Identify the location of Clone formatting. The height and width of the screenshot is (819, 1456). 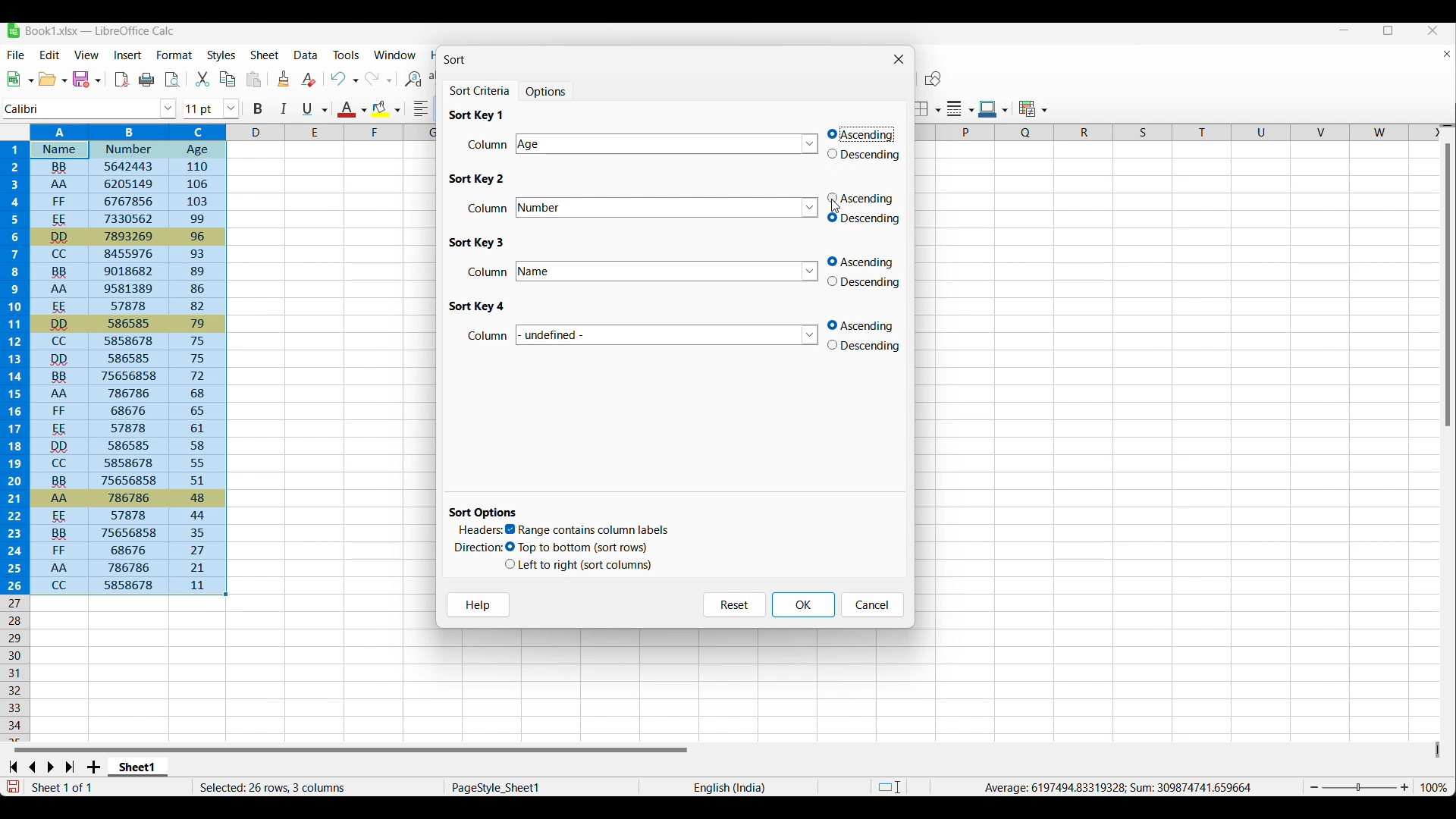
(284, 78).